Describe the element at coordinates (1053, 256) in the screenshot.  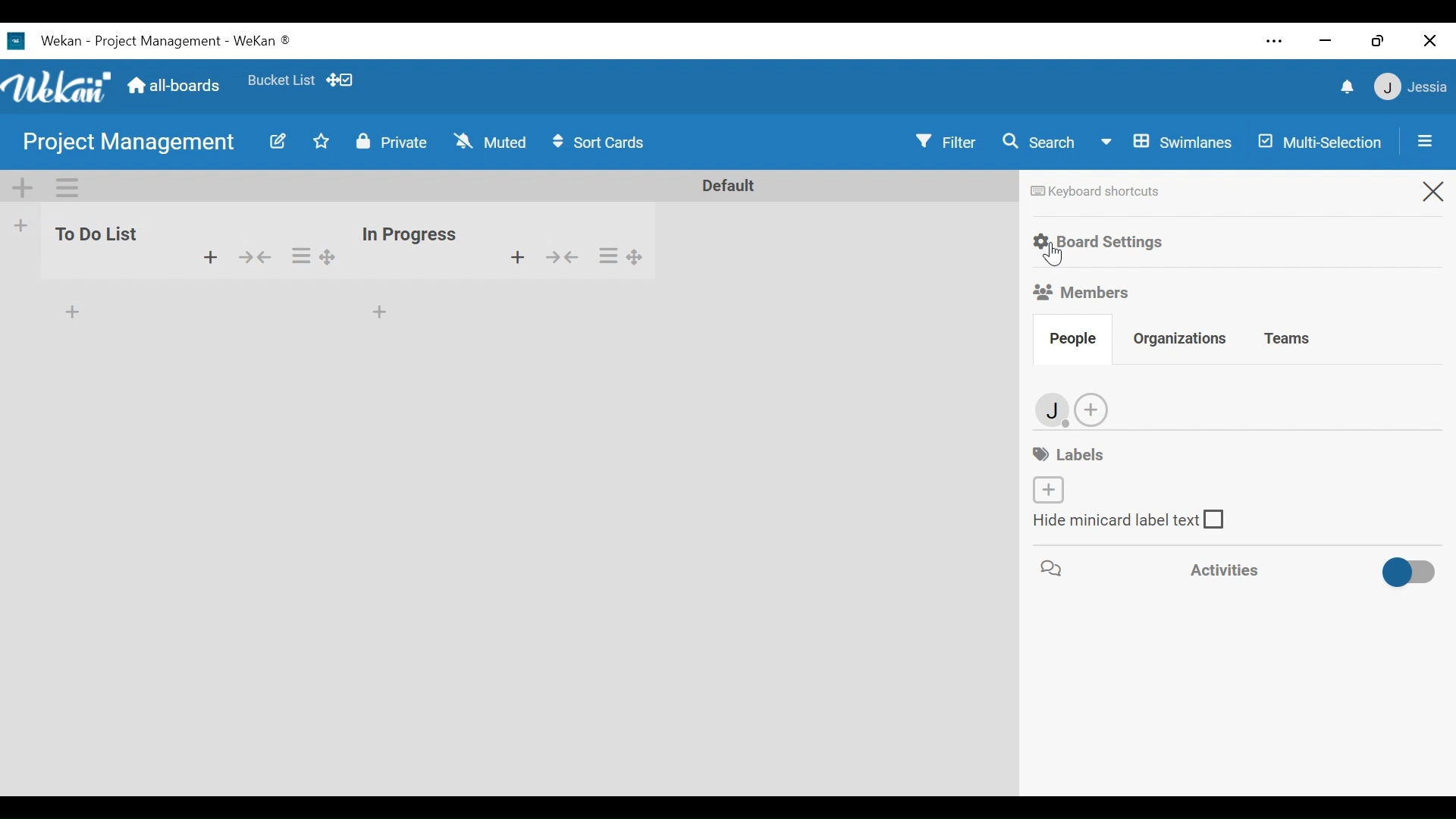
I see `Cursor` at that location.